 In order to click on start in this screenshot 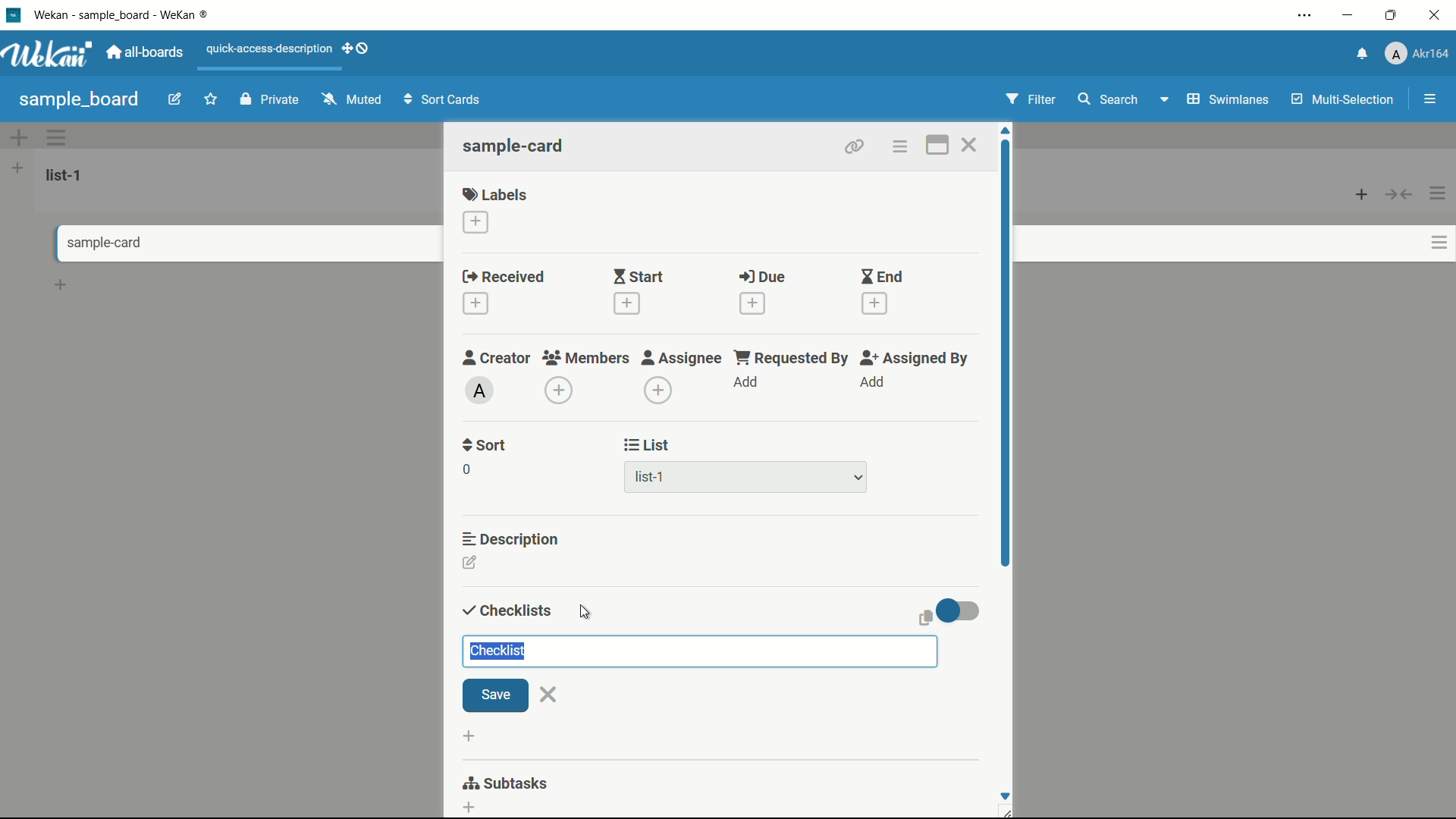, I will do `click(638, 278)`.